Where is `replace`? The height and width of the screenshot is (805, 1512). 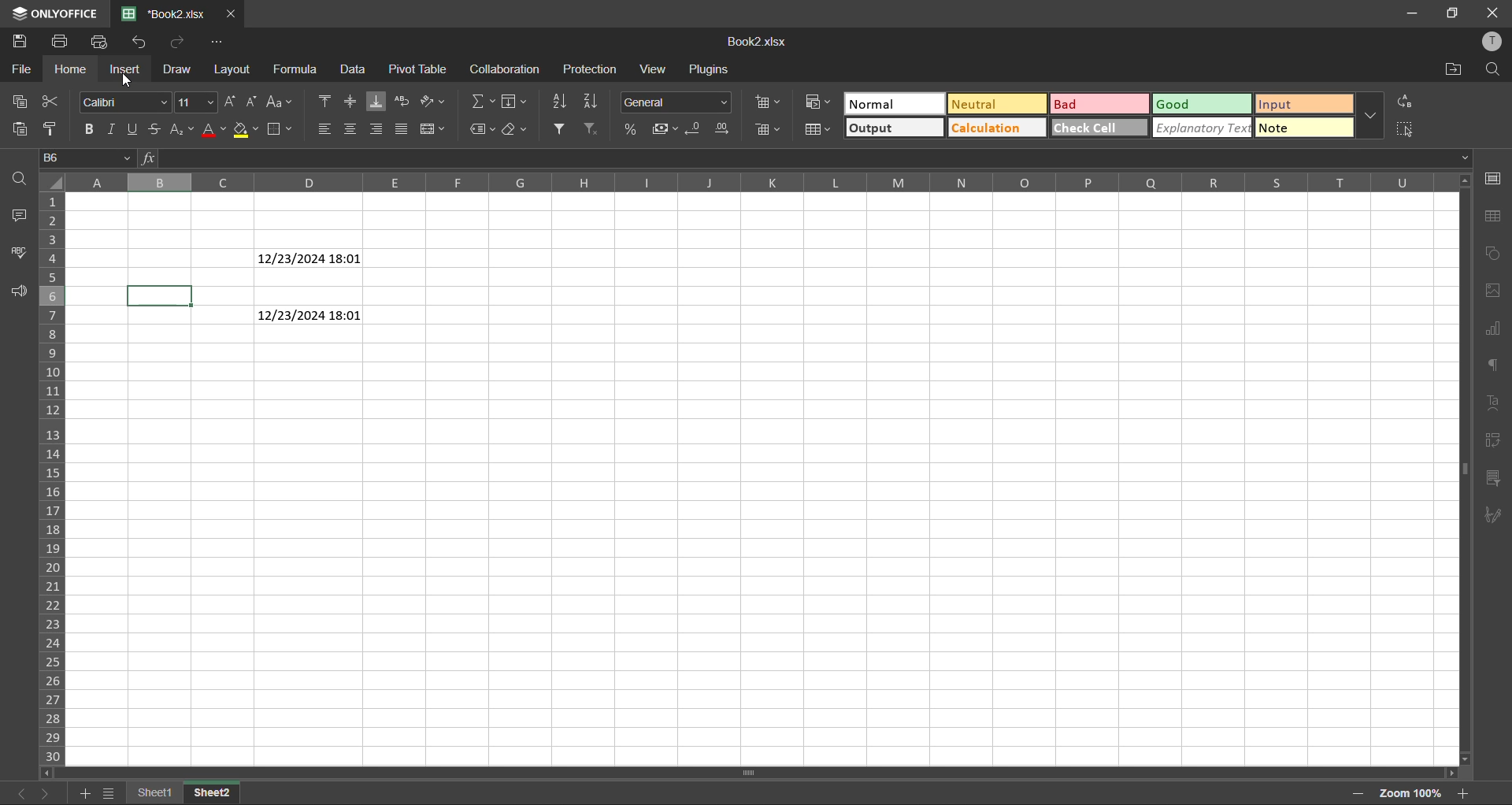 replace is located at coordinates (1405, 101).